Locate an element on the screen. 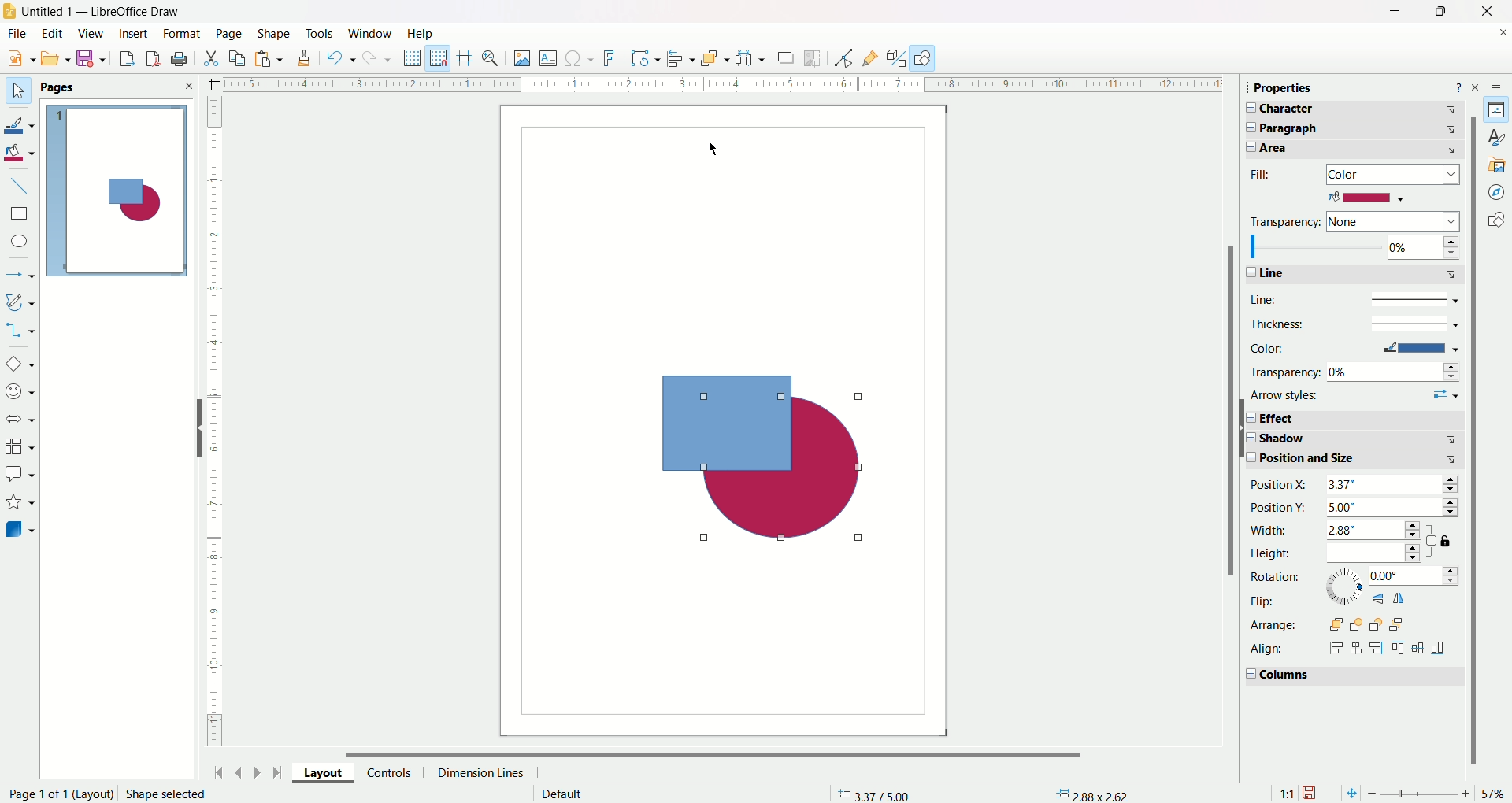 The image size is (1512, 803). view is located at coordinates (91, 33).